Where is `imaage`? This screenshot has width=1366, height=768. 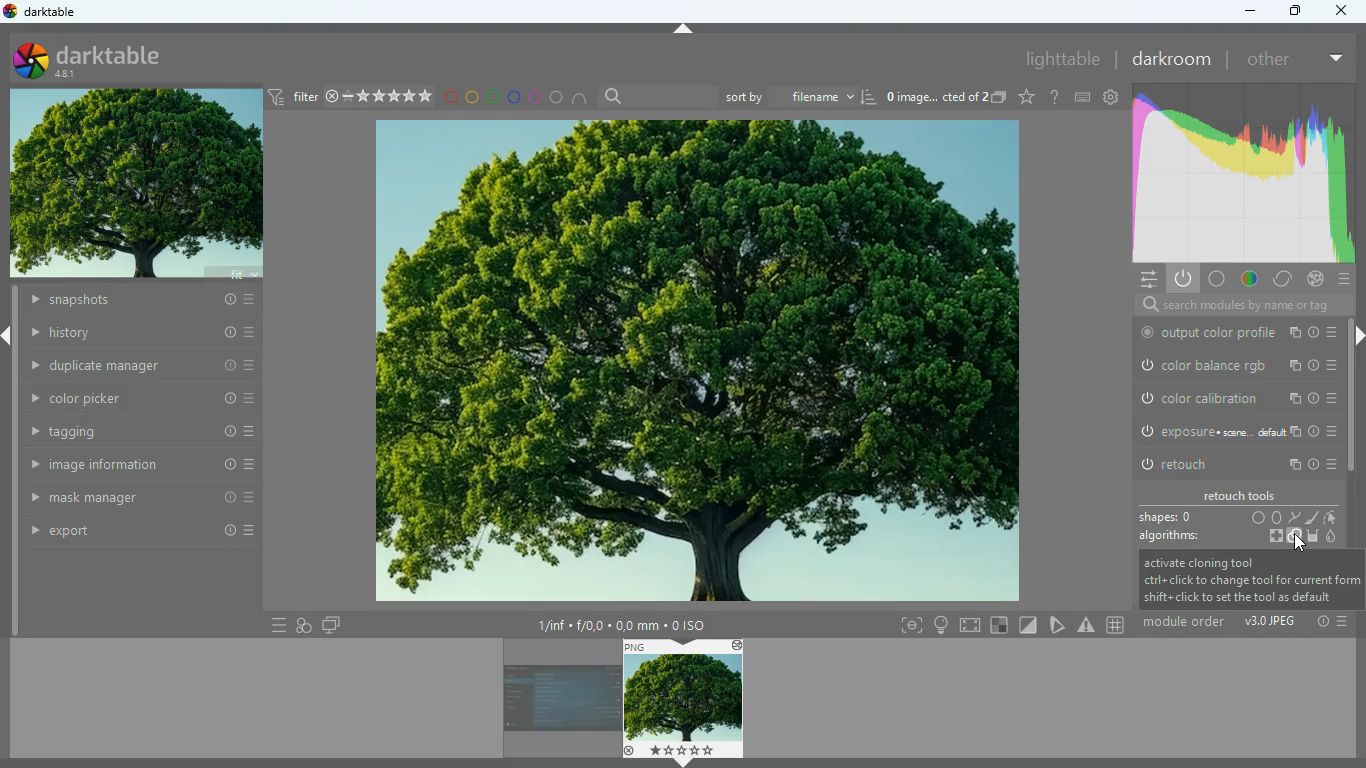 imaage is located at coordinates (135, 182).